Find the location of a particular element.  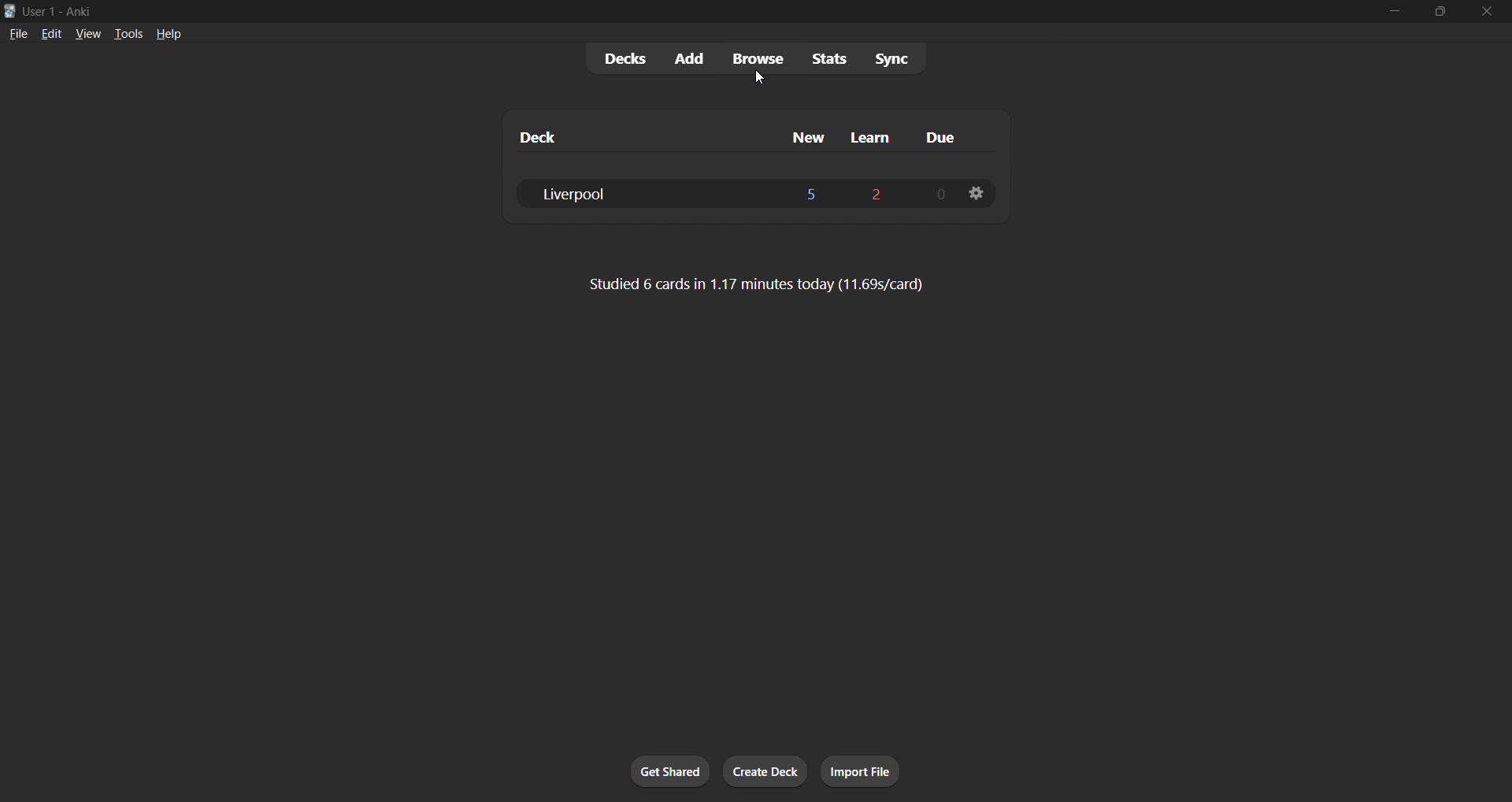

cursor is located at coordinates (762, 78).